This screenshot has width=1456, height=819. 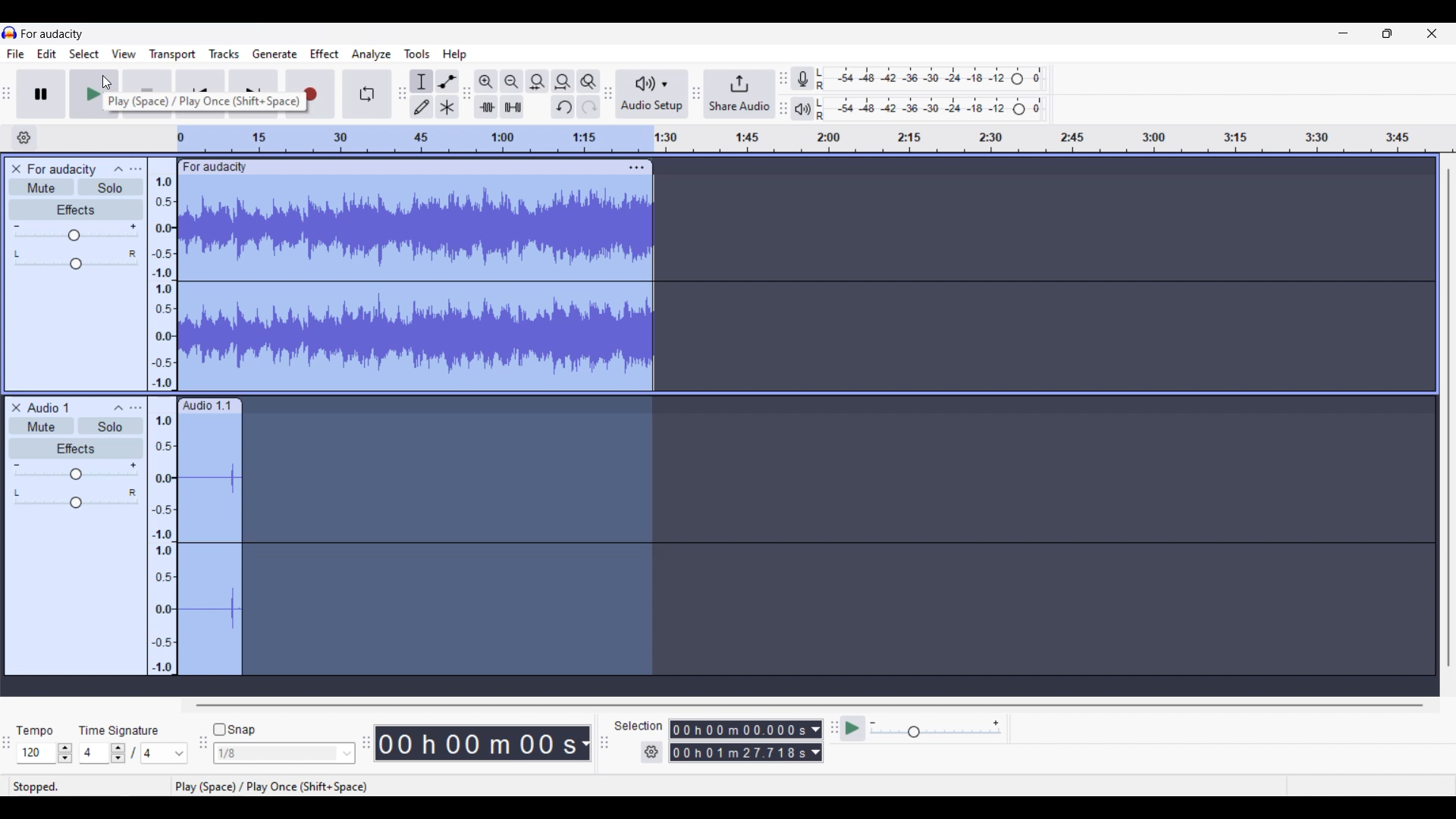 What do you see at coordinates (16, 168) in the screenshot?
I see `Close track` at bounding box center [16, 168].